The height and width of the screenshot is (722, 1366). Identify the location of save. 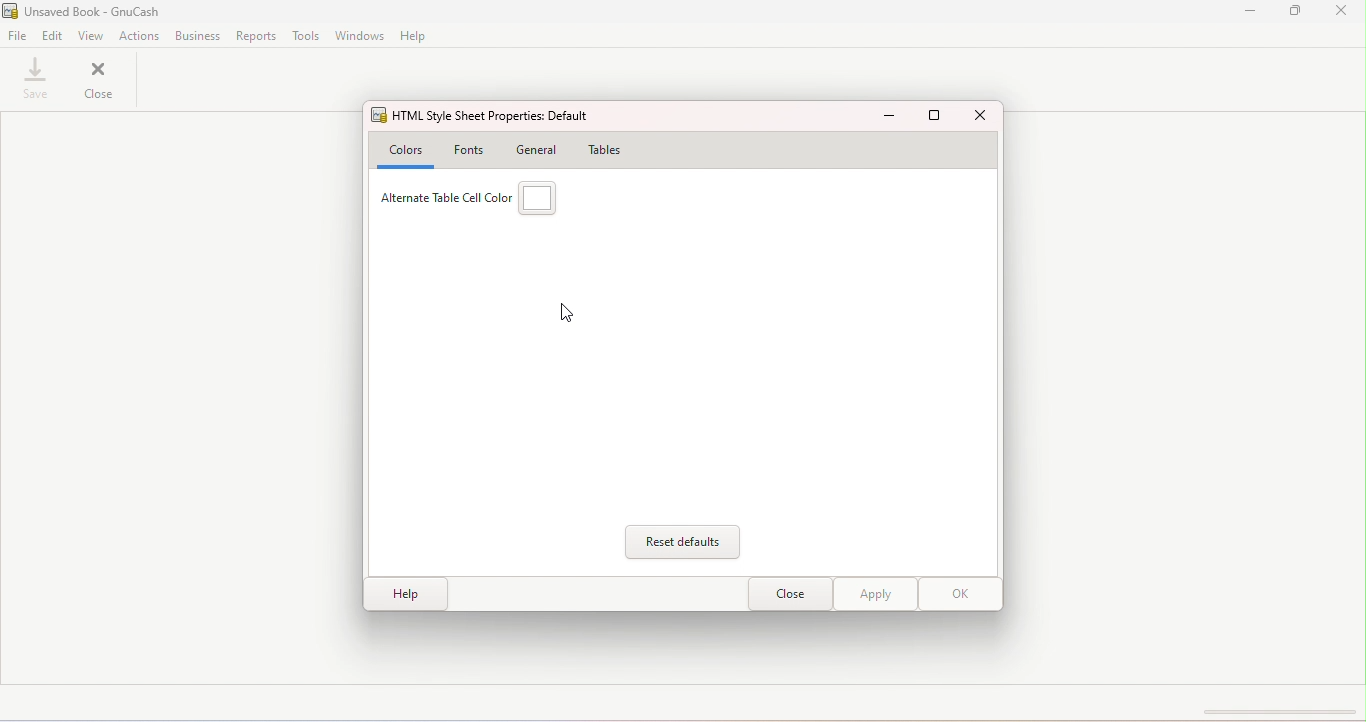
(36, 83).